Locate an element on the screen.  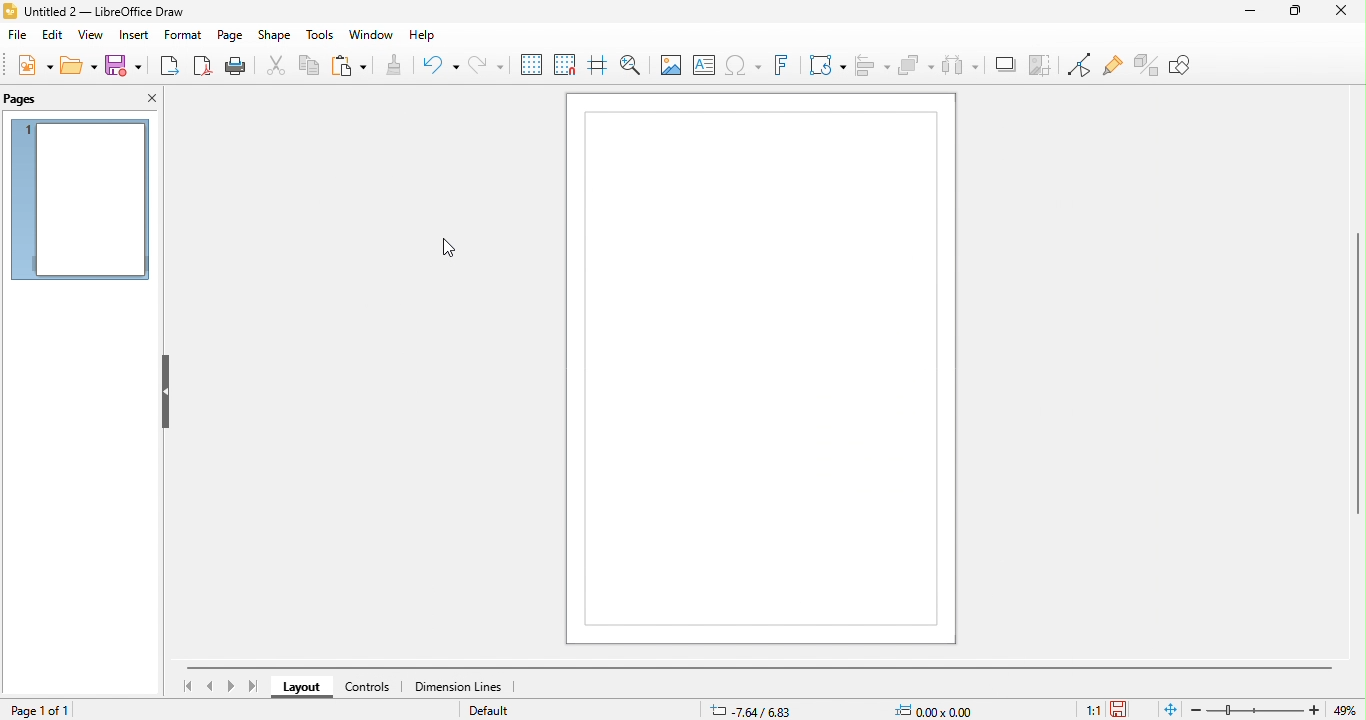
shadow is located at coordinates (1005, 65).